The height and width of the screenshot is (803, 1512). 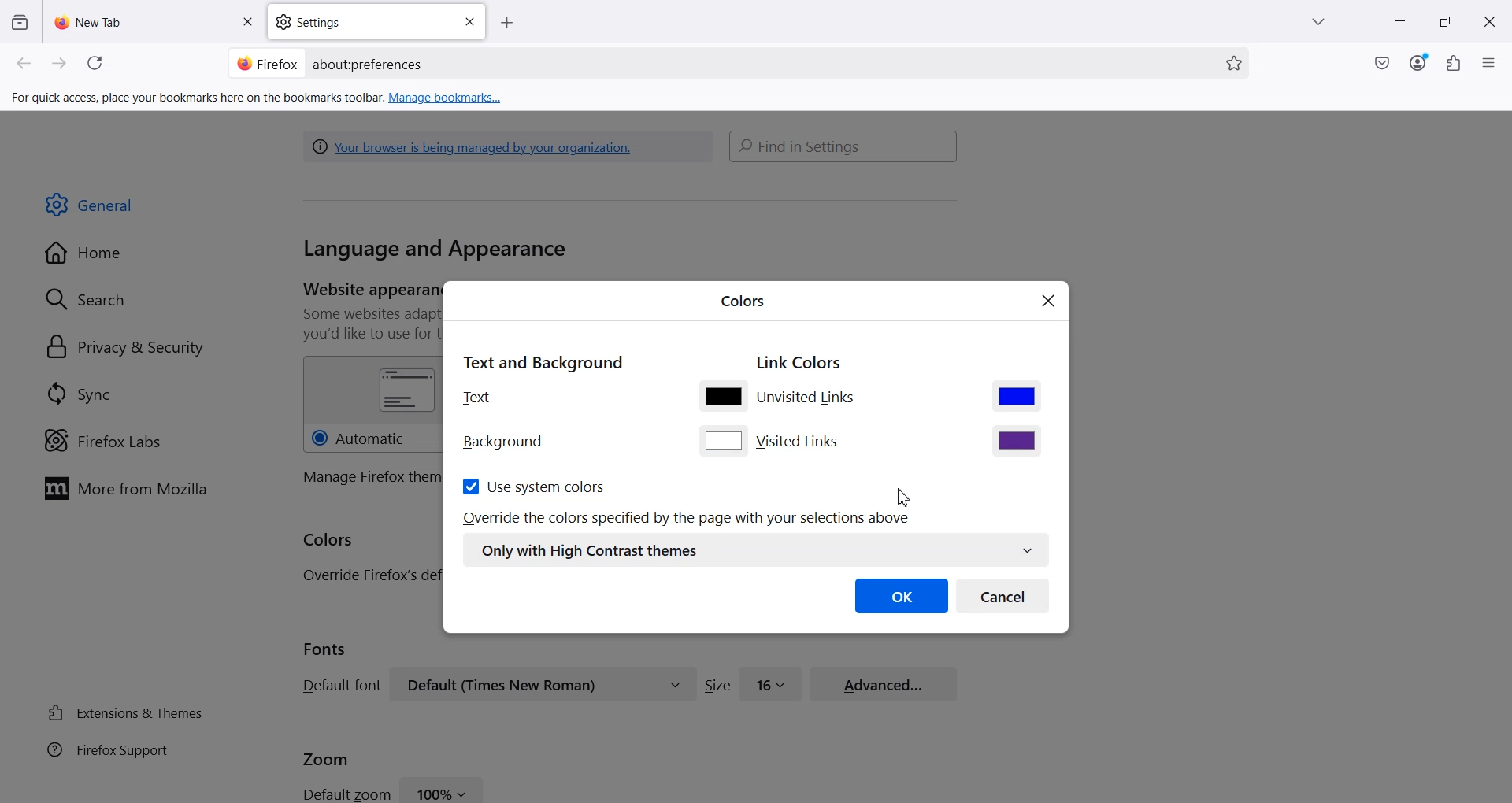 I want to click on New Tab, so click(x=155, y=21).